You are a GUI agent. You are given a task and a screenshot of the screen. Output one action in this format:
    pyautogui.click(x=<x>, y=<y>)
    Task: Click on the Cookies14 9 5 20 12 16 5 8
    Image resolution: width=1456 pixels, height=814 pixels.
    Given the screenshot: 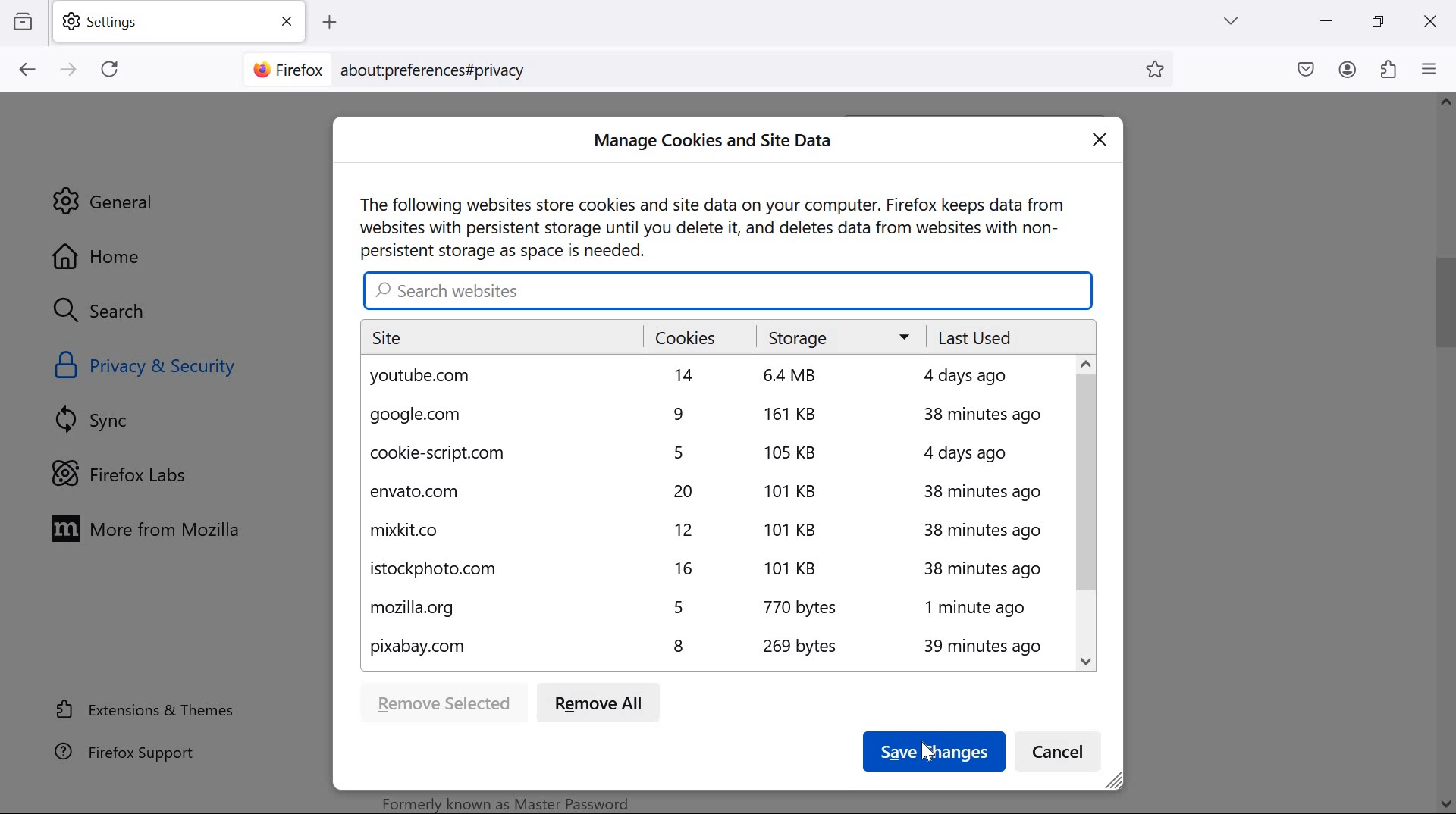 What is the action you would take?
    pyautogui.click(x=692, y=494)
    